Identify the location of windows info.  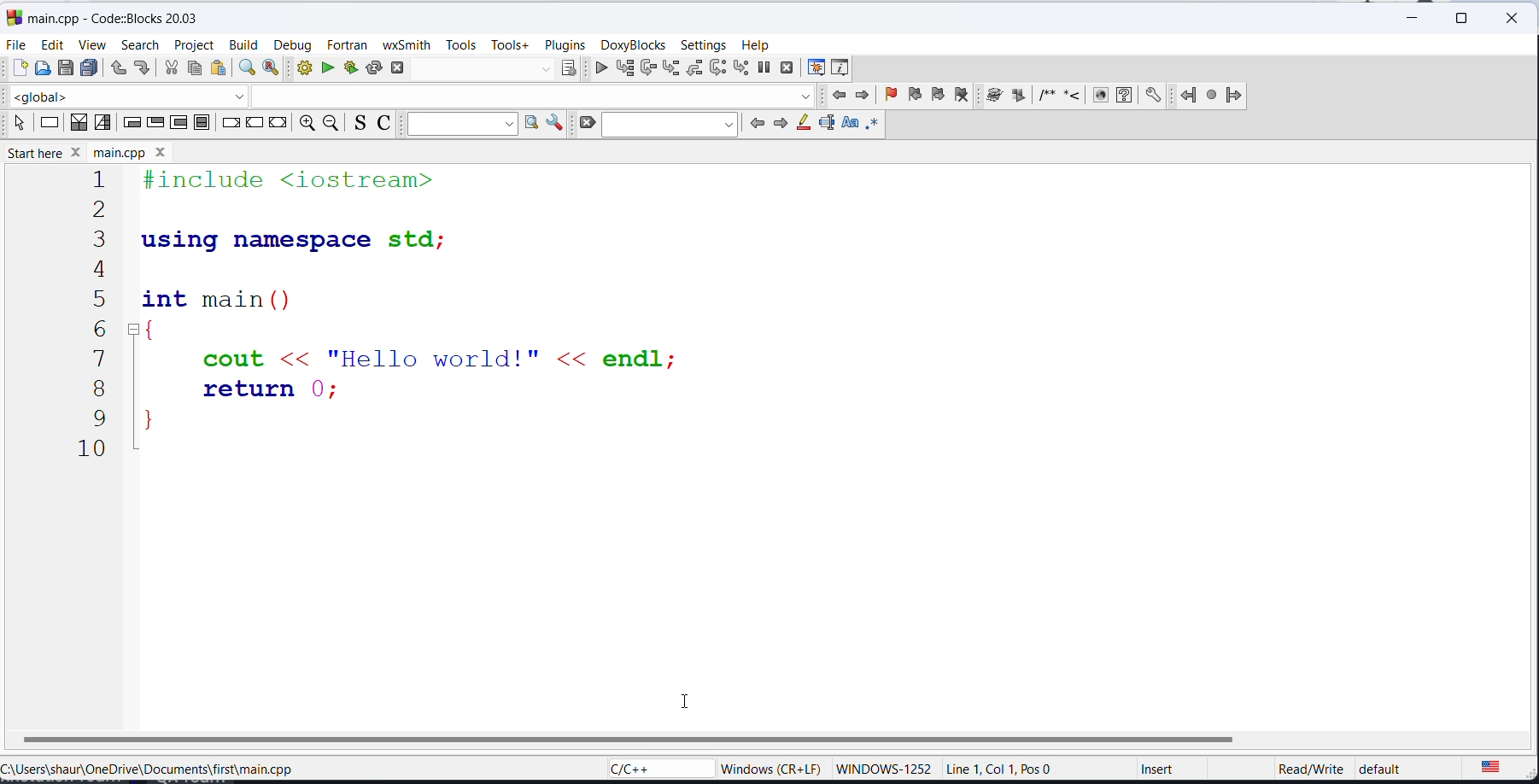
(881, 769).